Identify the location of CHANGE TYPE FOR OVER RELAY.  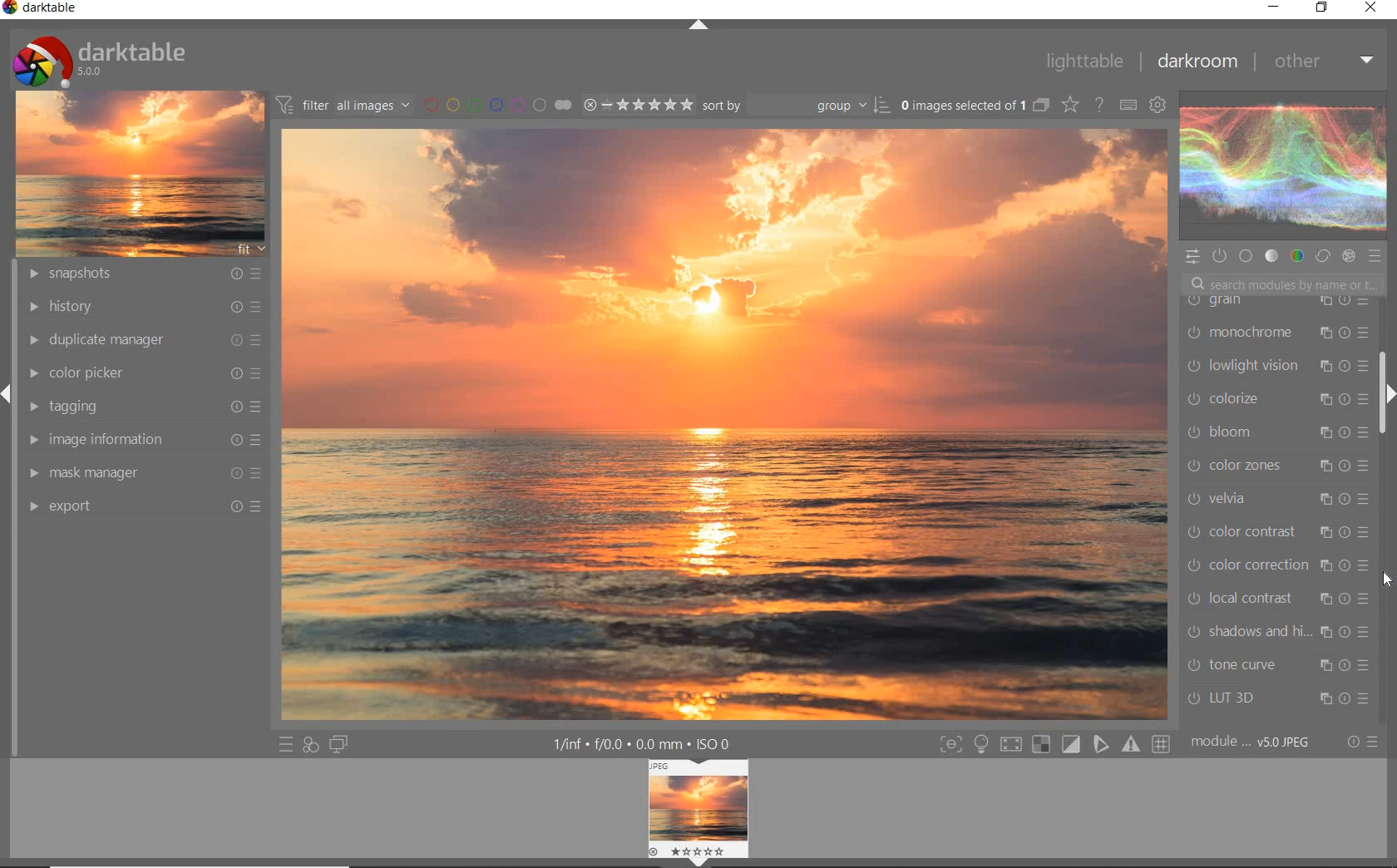
(1069, 104).